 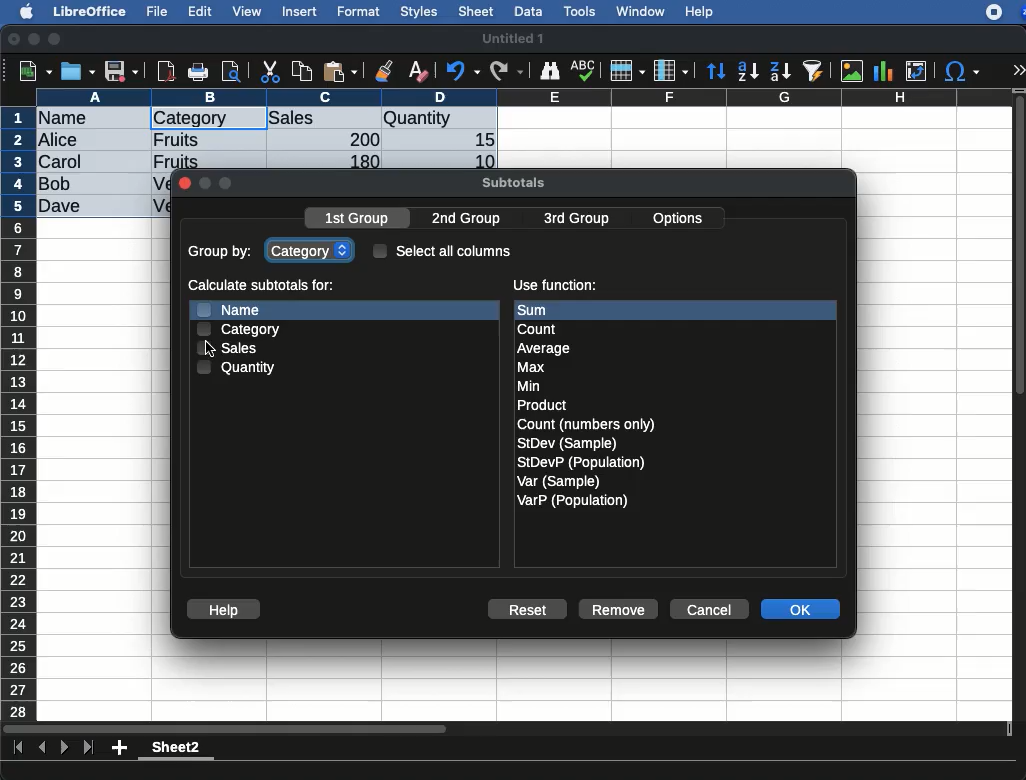 What do you see at coordinates (35, 39) in the screenshot?
I see `minimize` at bounding box center [35, 39].